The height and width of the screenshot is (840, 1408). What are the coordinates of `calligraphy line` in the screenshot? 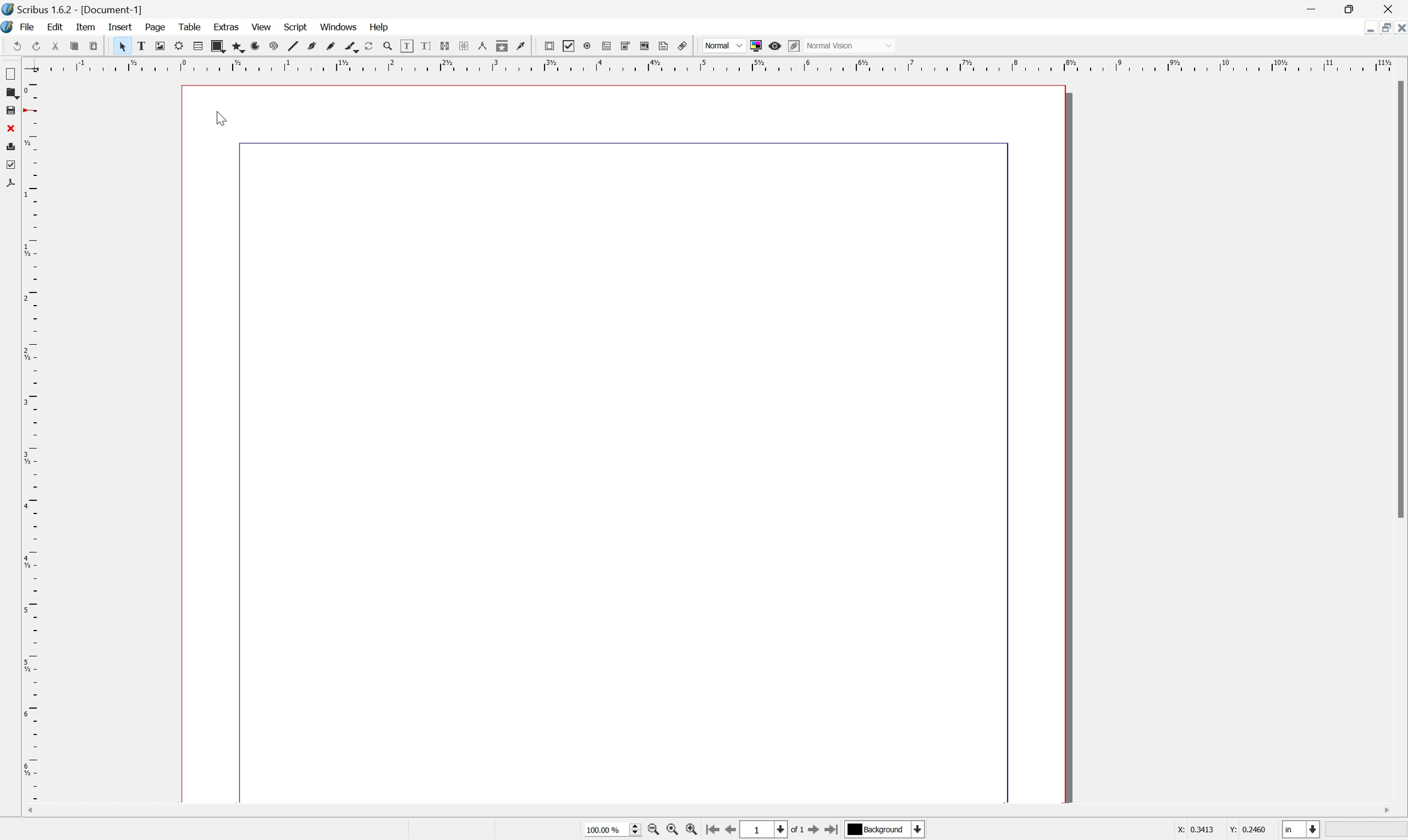 It's located at (481, 45).